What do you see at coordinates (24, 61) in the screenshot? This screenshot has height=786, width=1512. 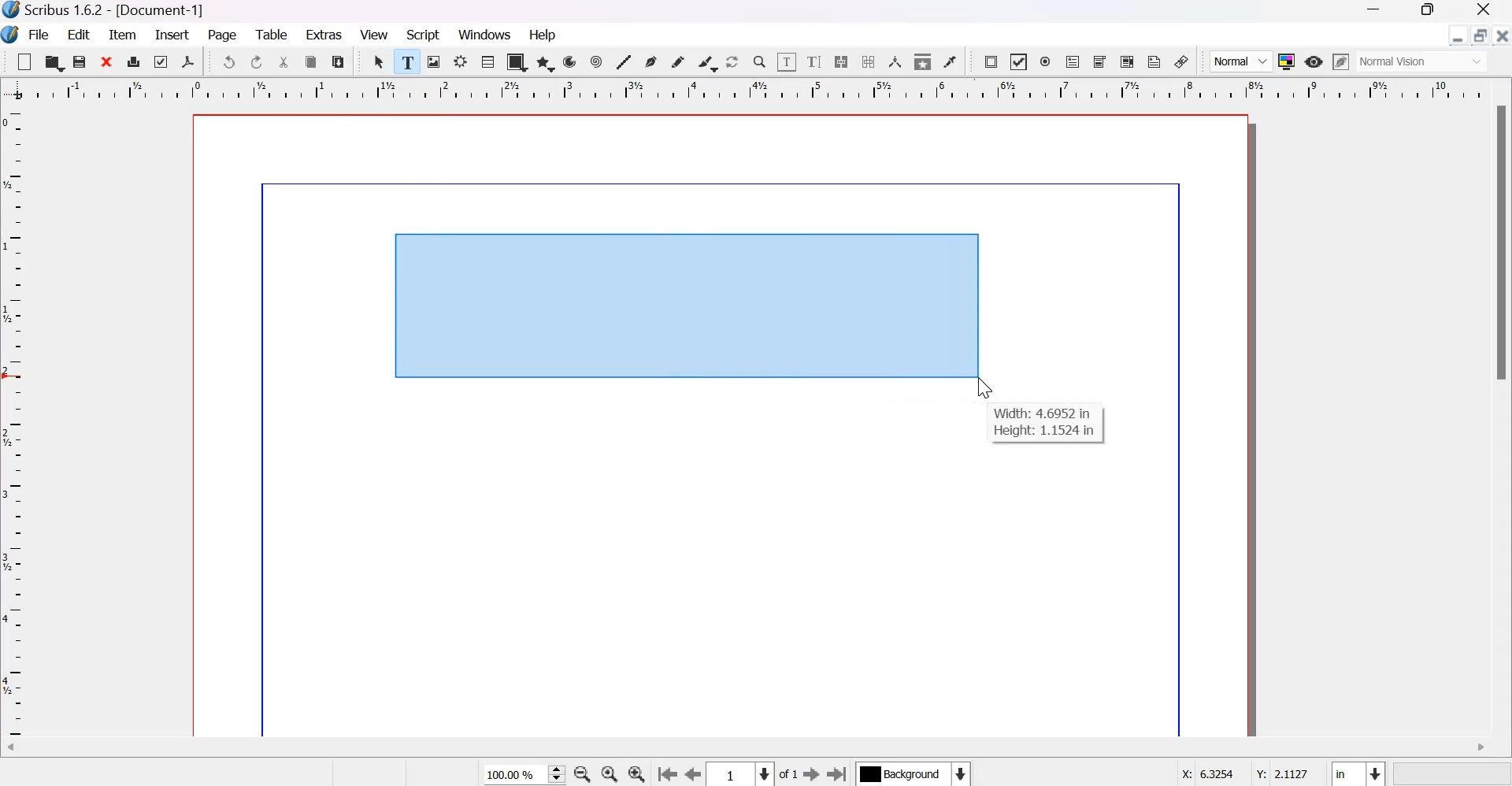 I see `new` at bounding box center [24, 61].